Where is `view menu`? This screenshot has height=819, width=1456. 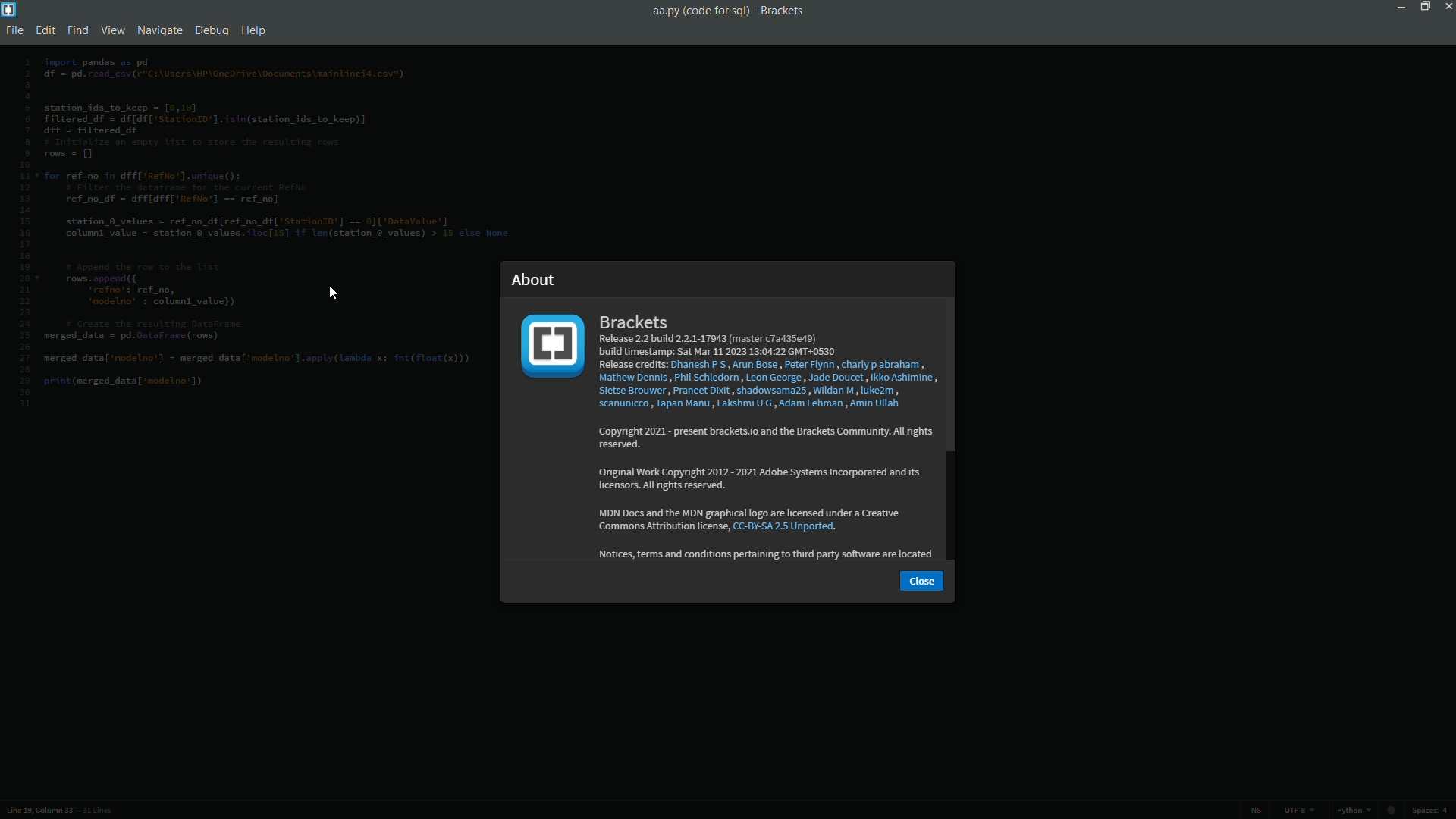
view menu is located at coordinates (113, 30).